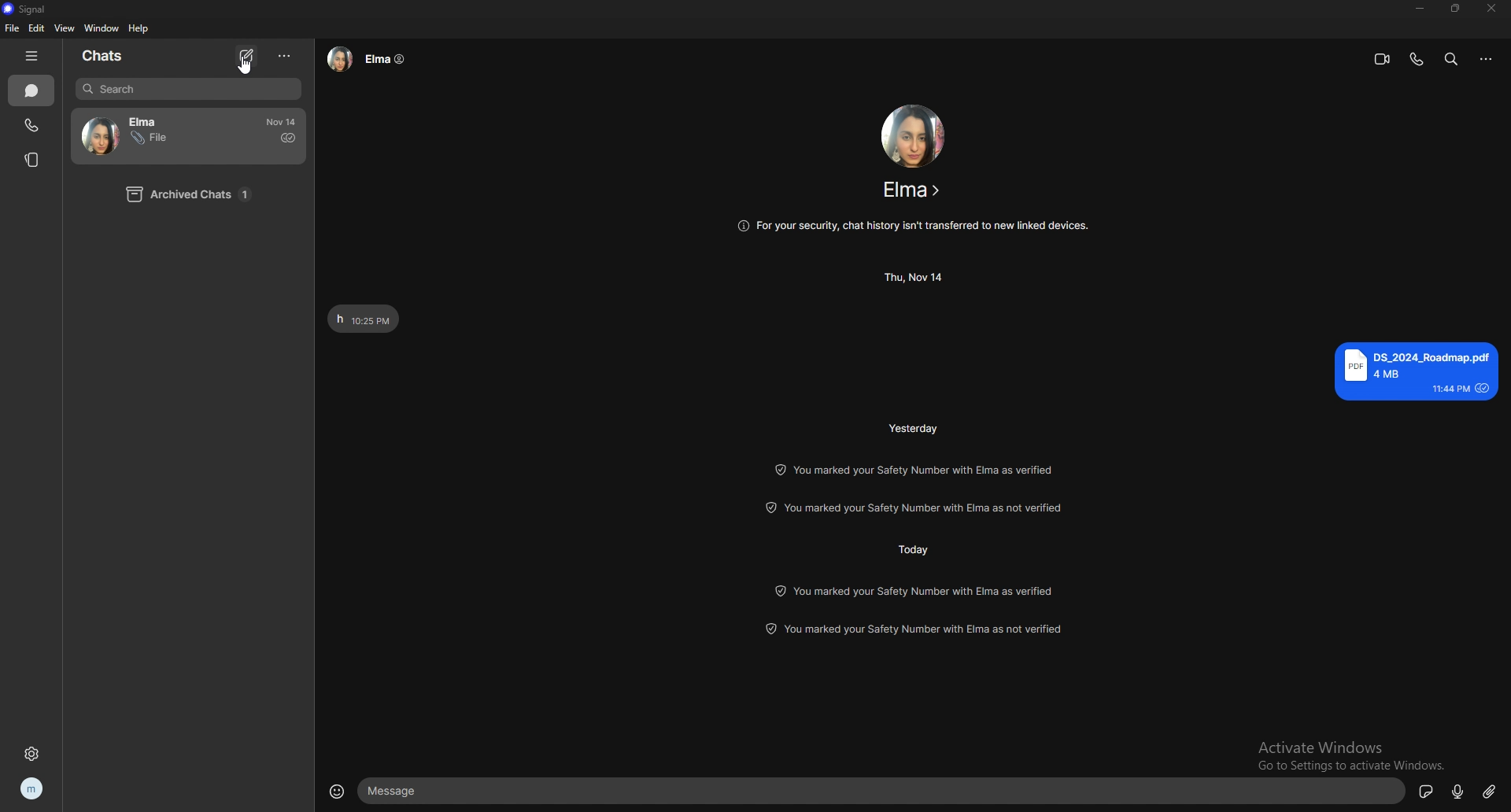  I want to click on attachment, so click(1489, 791).